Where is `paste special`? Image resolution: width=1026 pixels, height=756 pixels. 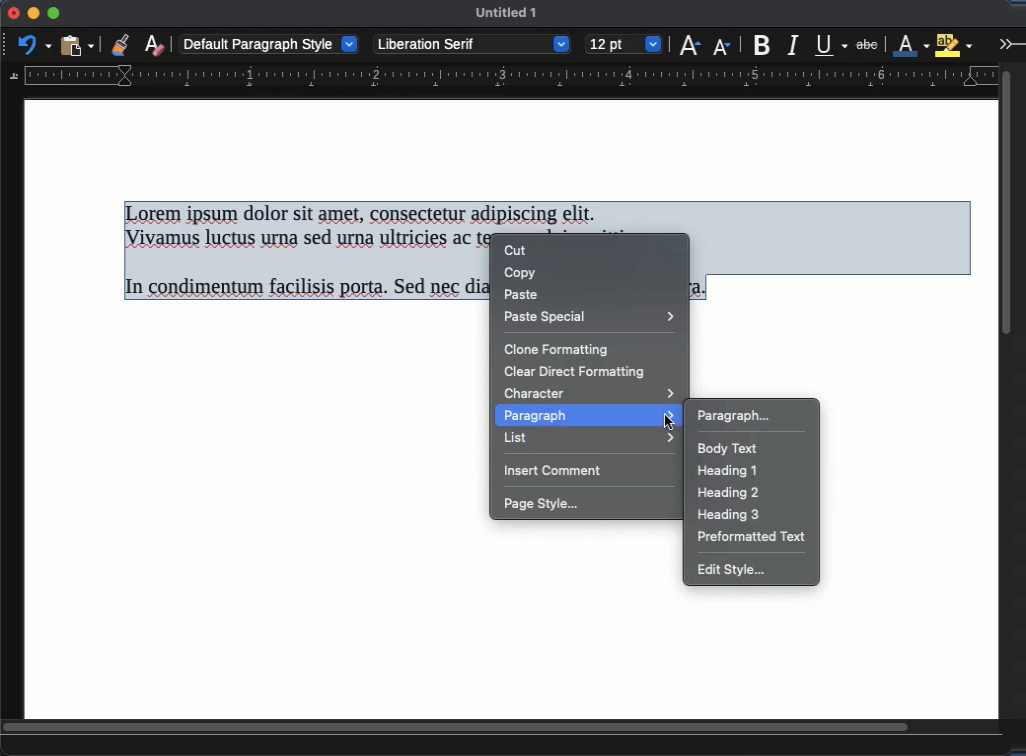 paste special is located at coordinates (592, 317).